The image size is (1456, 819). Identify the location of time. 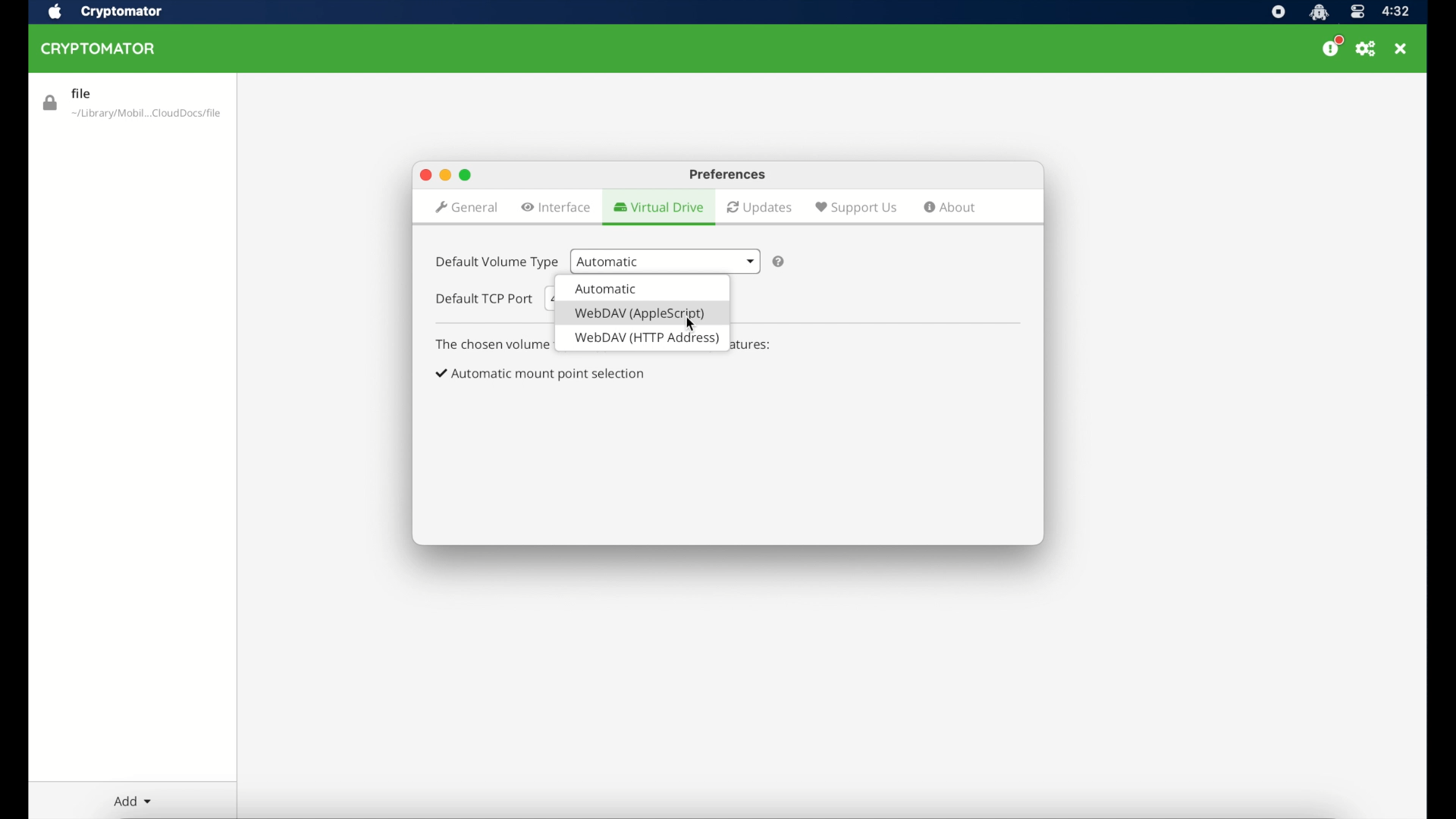
(1395, 12).